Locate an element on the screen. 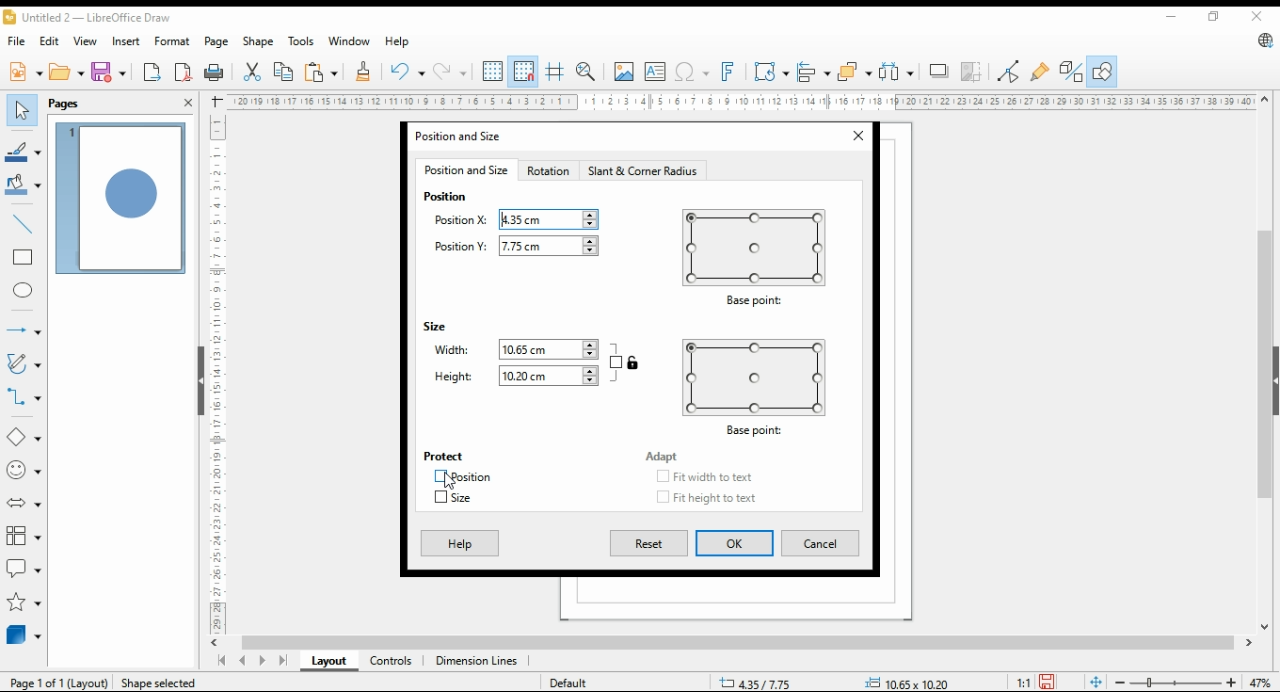  snap to grids is located at coordinates (524, 72).